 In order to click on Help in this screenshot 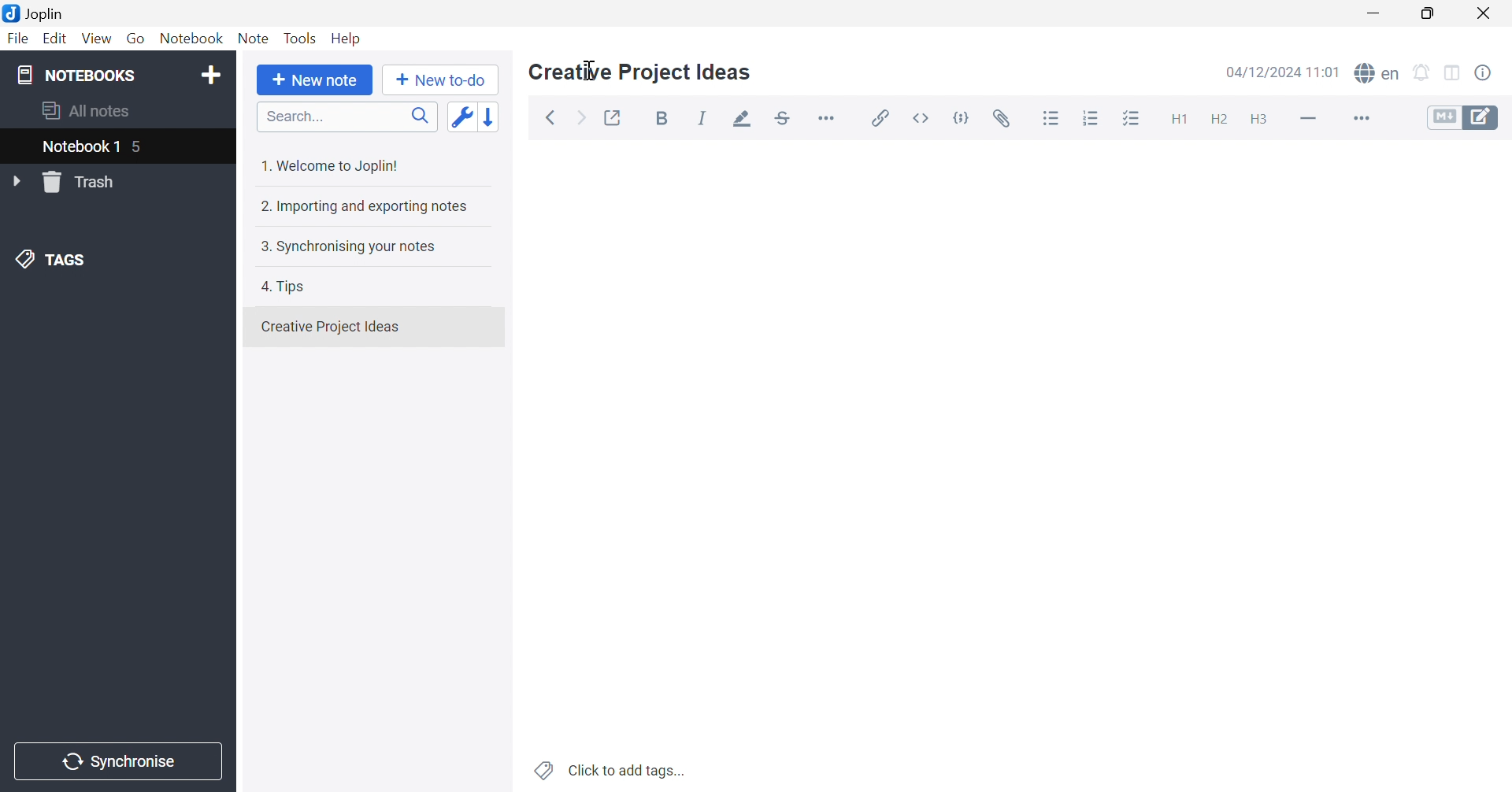, I will do `click(347, 38)`.